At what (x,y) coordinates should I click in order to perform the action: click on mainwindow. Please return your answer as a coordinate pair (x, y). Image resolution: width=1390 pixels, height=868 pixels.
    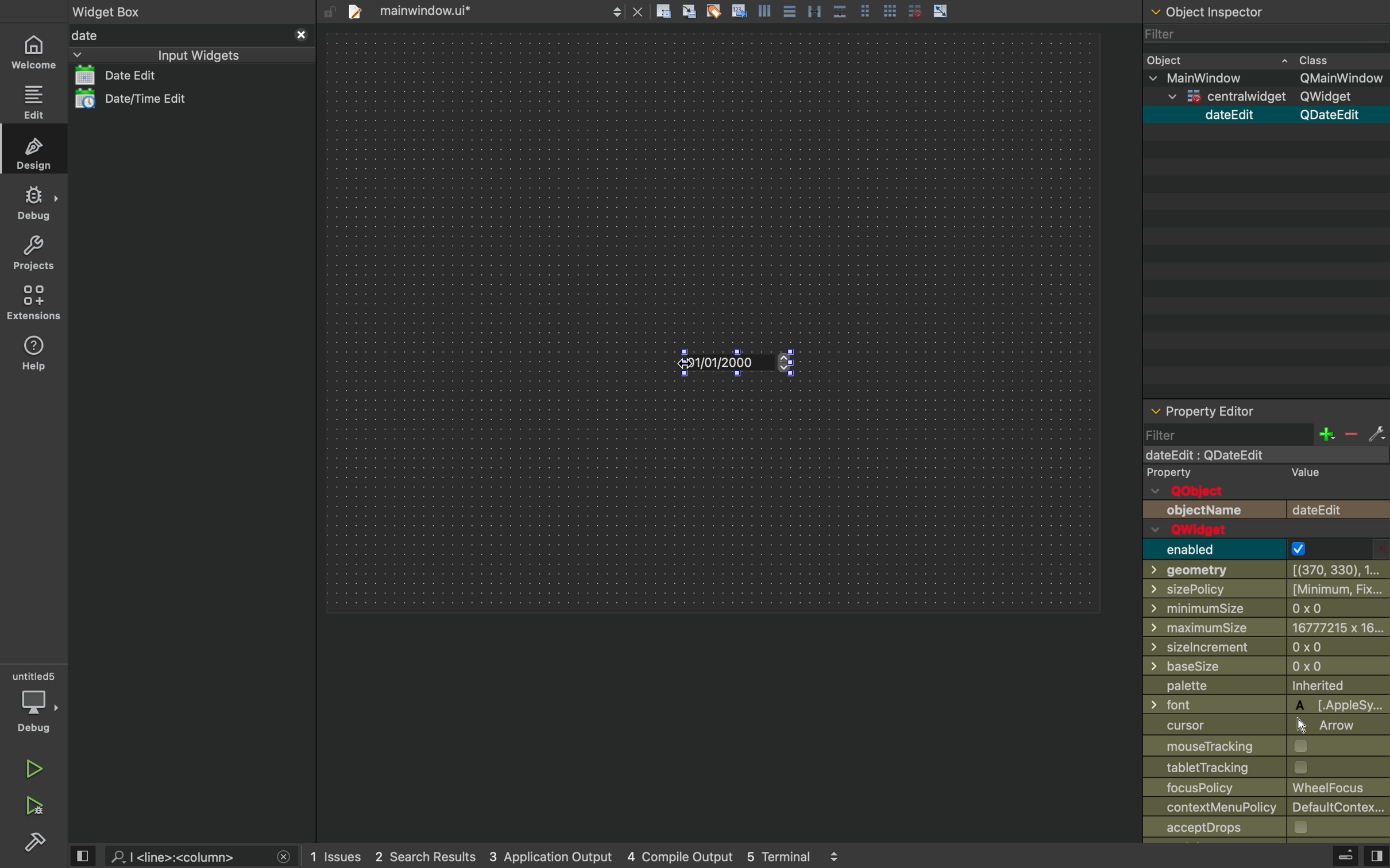
    Looking at the image, I should click on (1264, 455).